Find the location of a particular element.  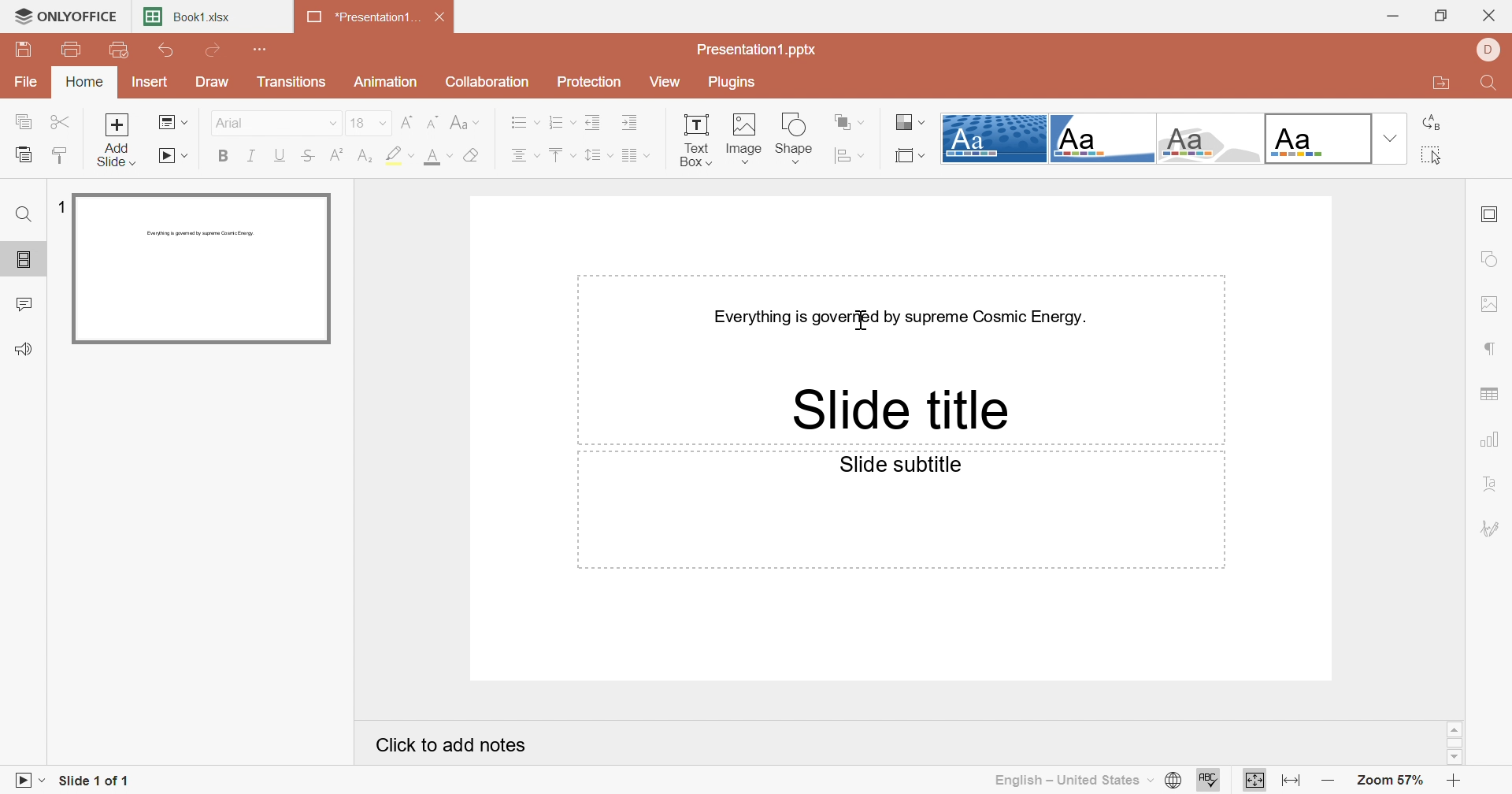

Add slide is located at coordinates (116, 139).